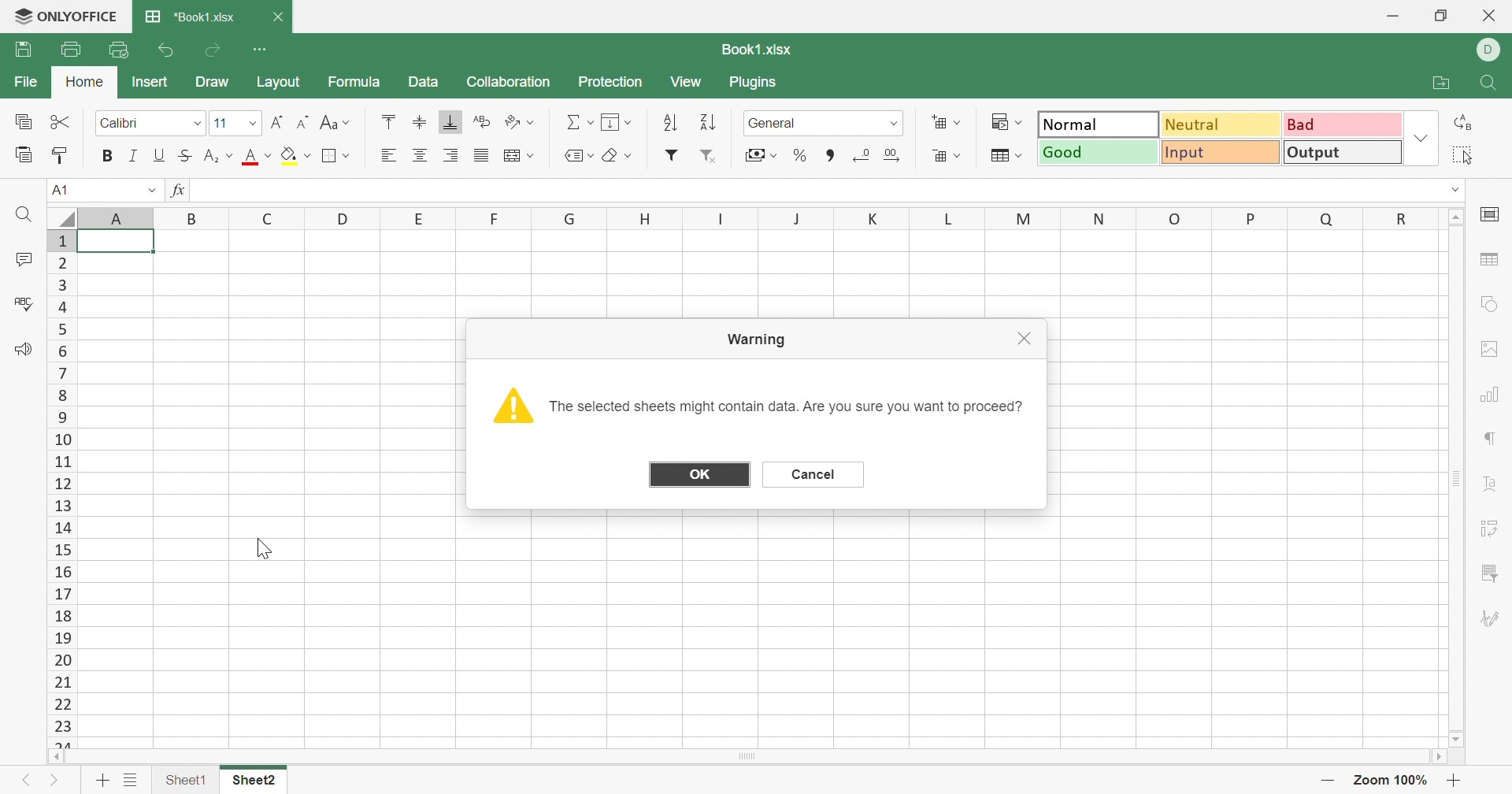  I want to click on Cursor, so click(261, 548).